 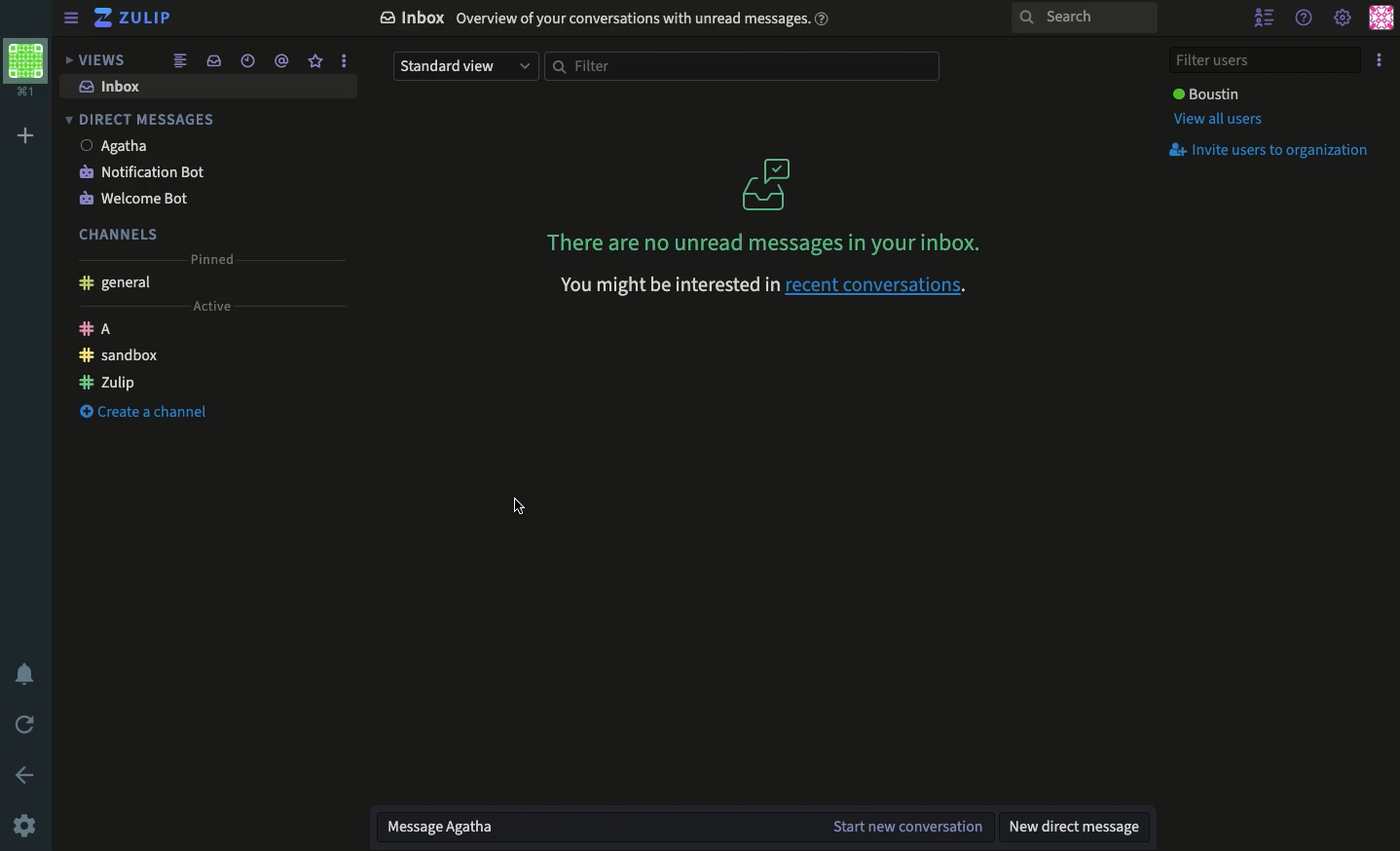 I want to click on Inbox, so click(x=213, y=61).